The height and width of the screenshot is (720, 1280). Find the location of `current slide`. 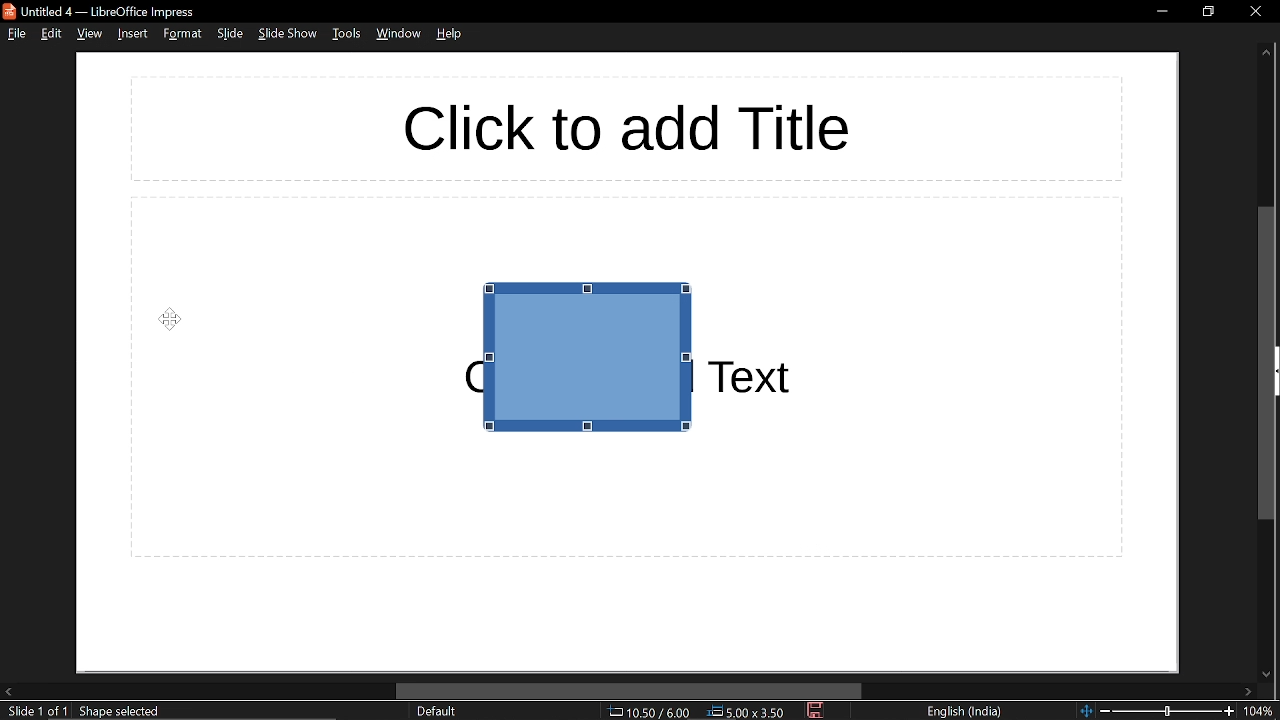

current slide is located at coordinates (36, 711).